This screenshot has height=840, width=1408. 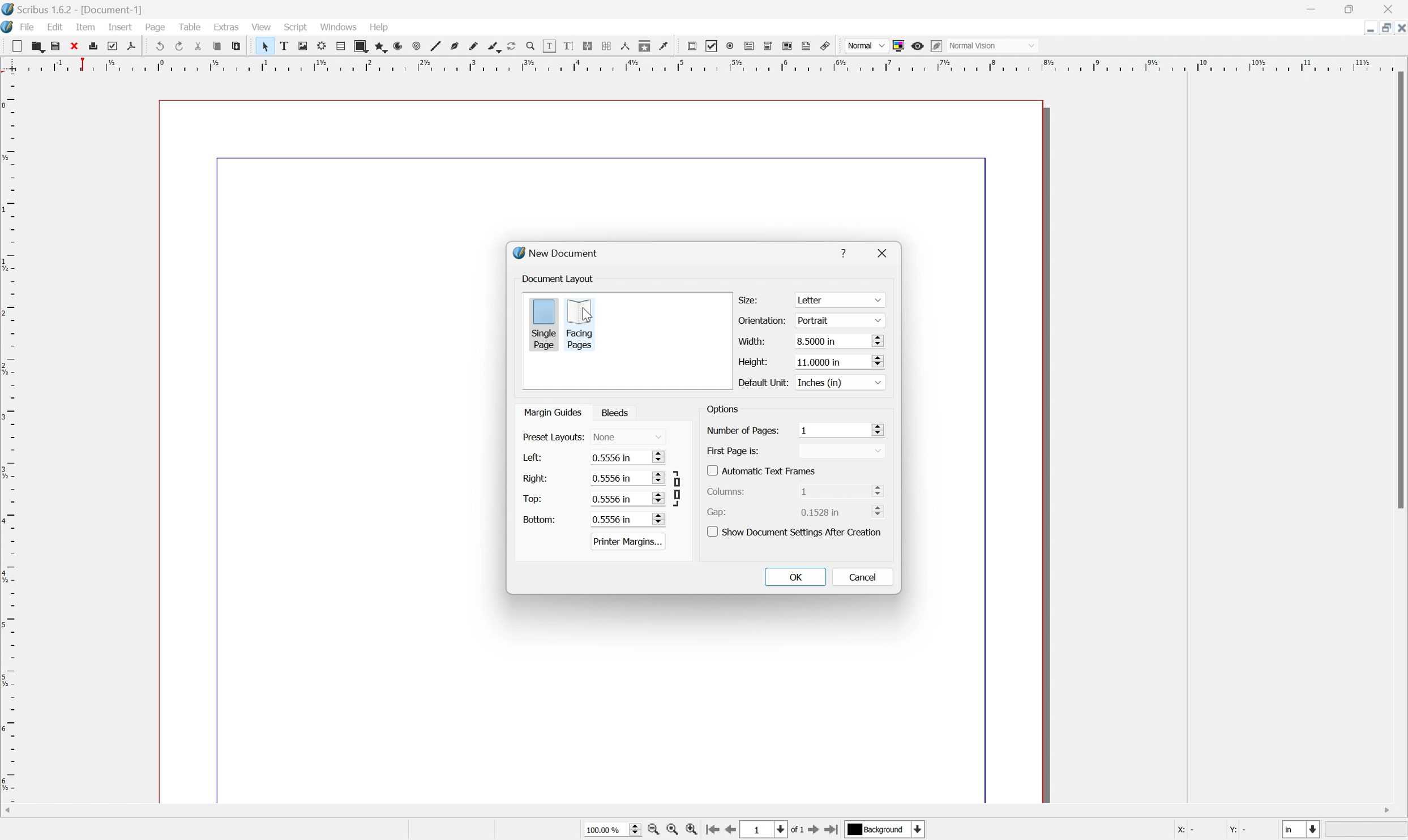 I want to click on Help, so click(x=378, y=27).